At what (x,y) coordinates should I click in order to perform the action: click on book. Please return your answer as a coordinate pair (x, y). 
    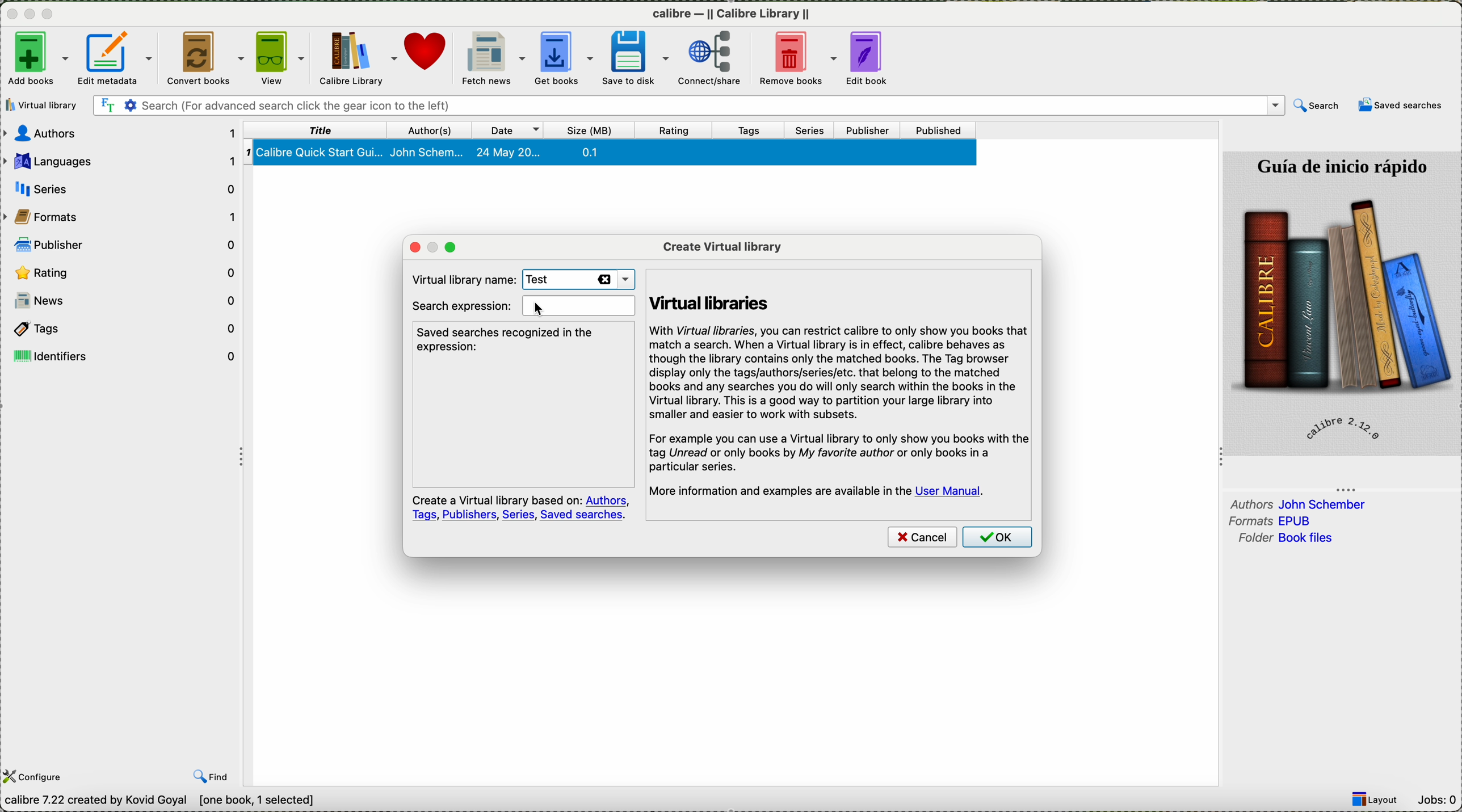
    Looking at the image, I should click on (612, 155).